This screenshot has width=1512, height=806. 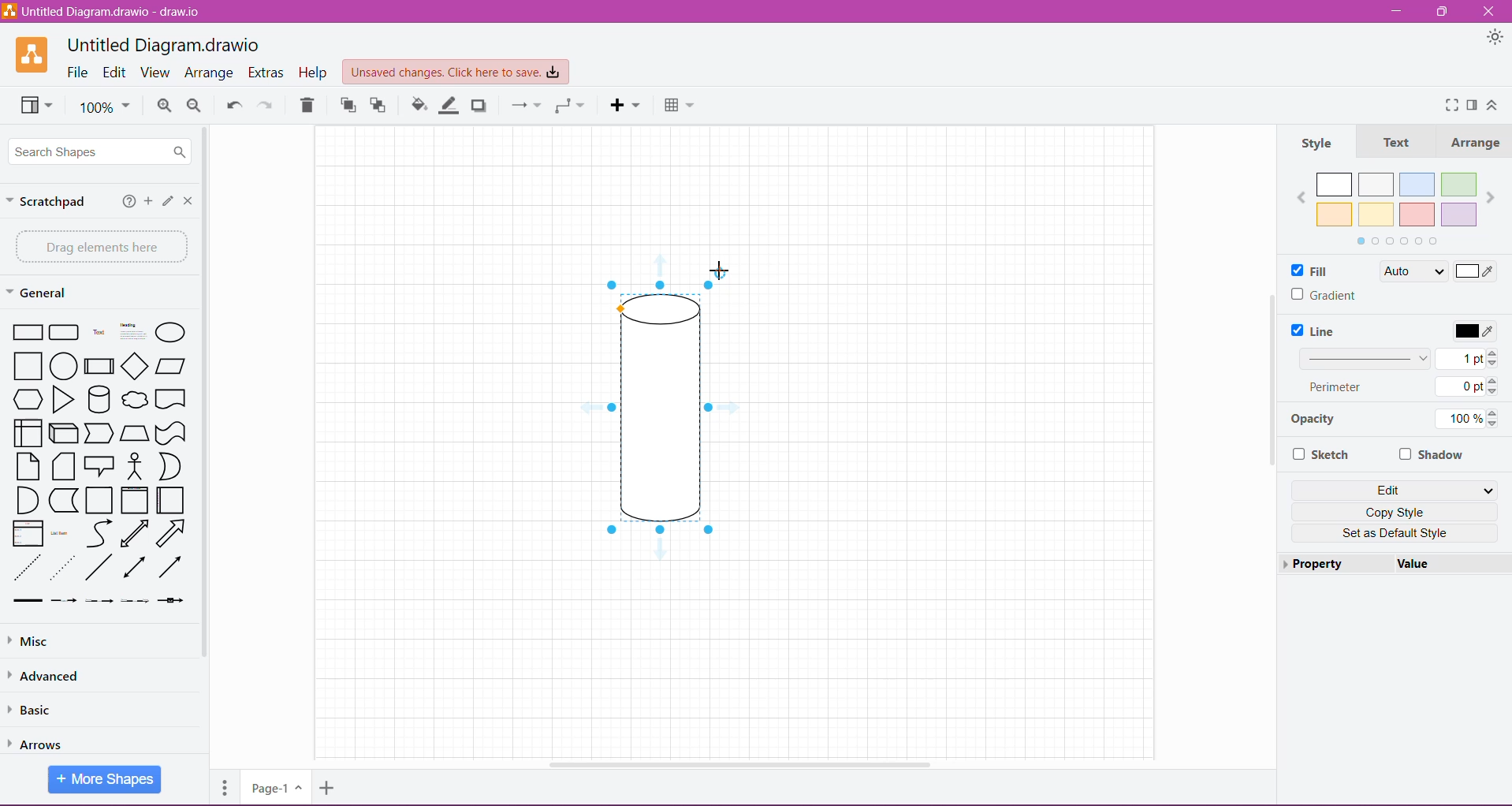 I want to click on To Back, so click(x=382, y=105).